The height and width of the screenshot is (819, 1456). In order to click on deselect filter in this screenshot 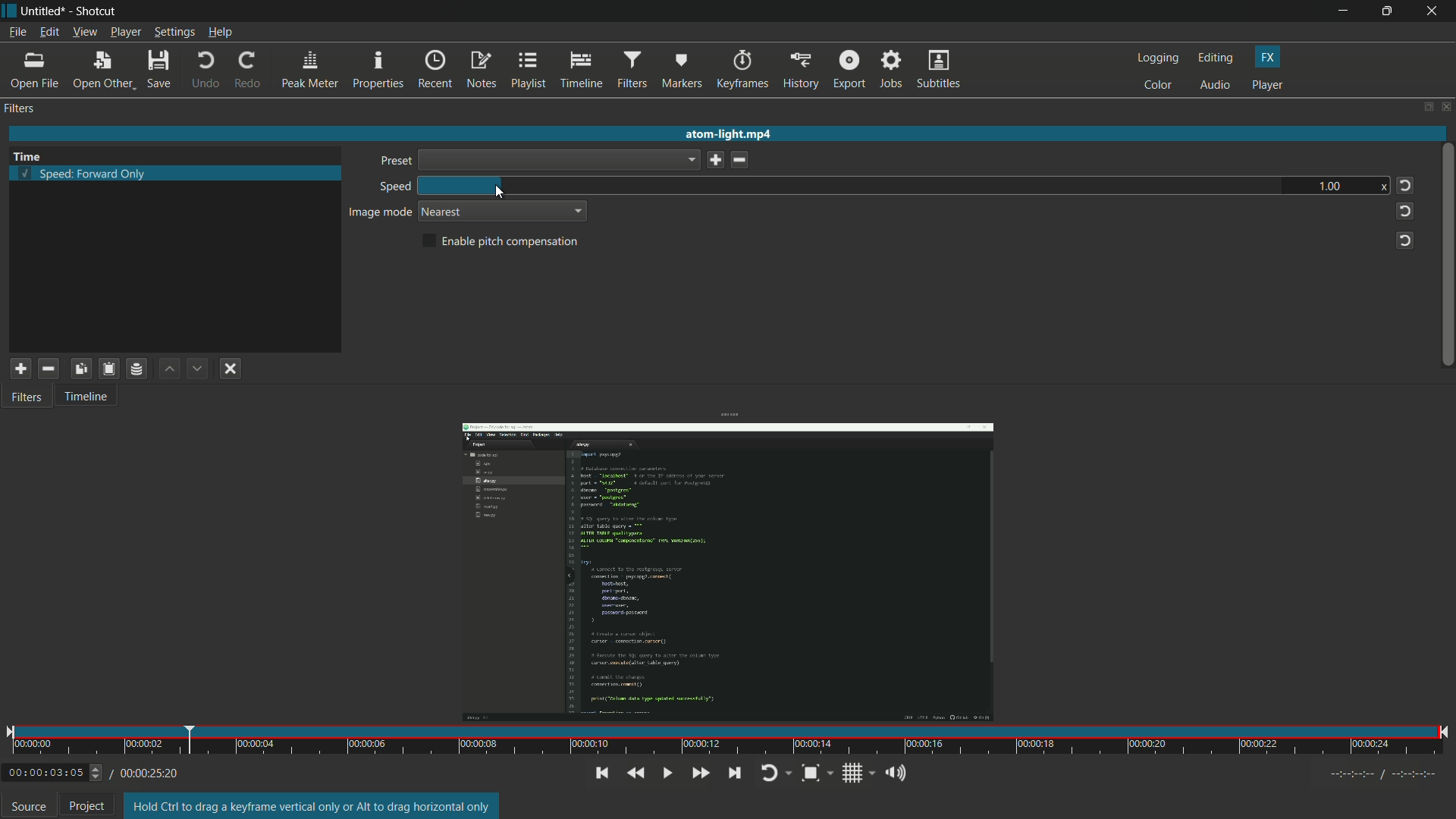, I will do `click(231, 370)`.